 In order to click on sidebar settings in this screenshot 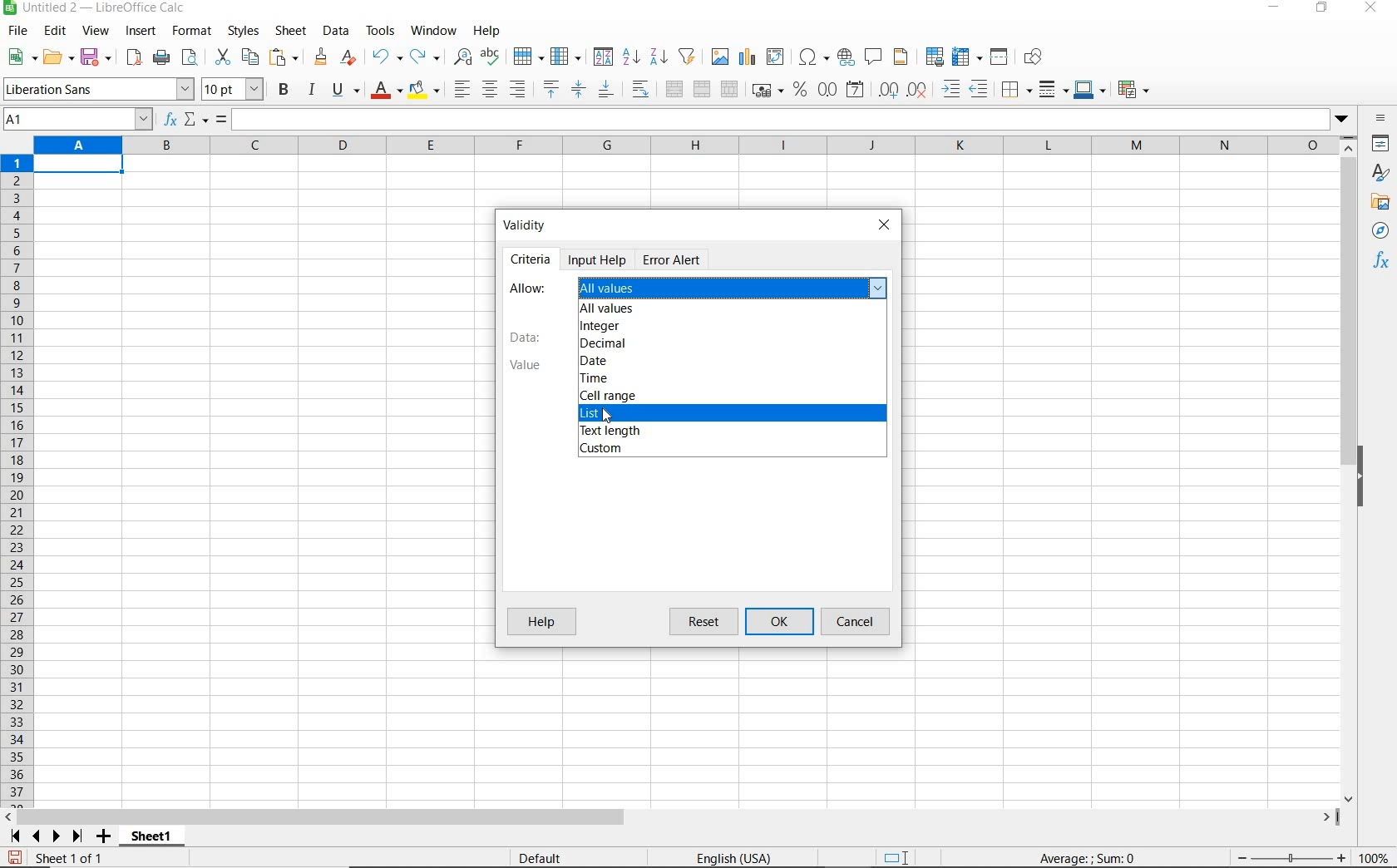, I will do `click(1381, 120)`.